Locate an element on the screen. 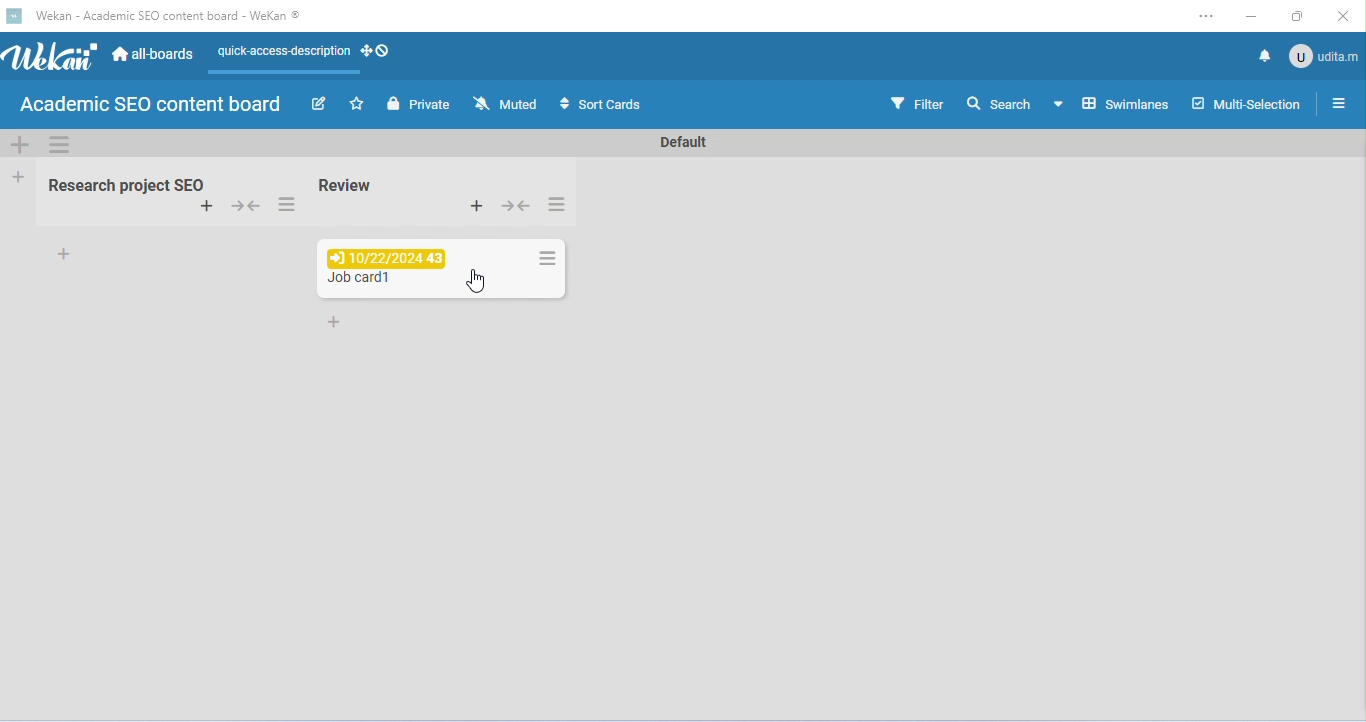  close is located at coordinates (1340, 17).